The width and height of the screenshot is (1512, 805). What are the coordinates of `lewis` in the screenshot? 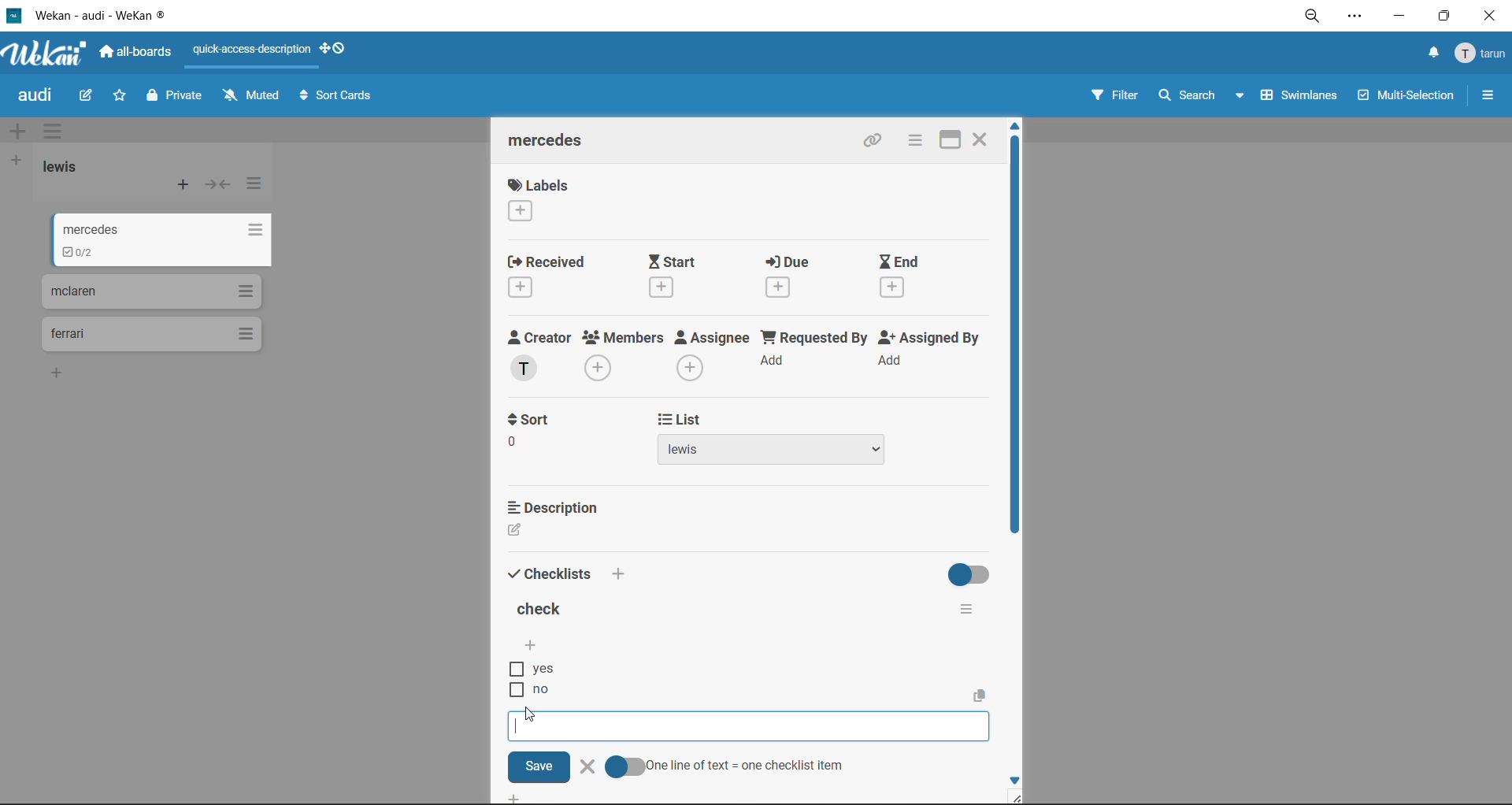 It's located at (772, 451).